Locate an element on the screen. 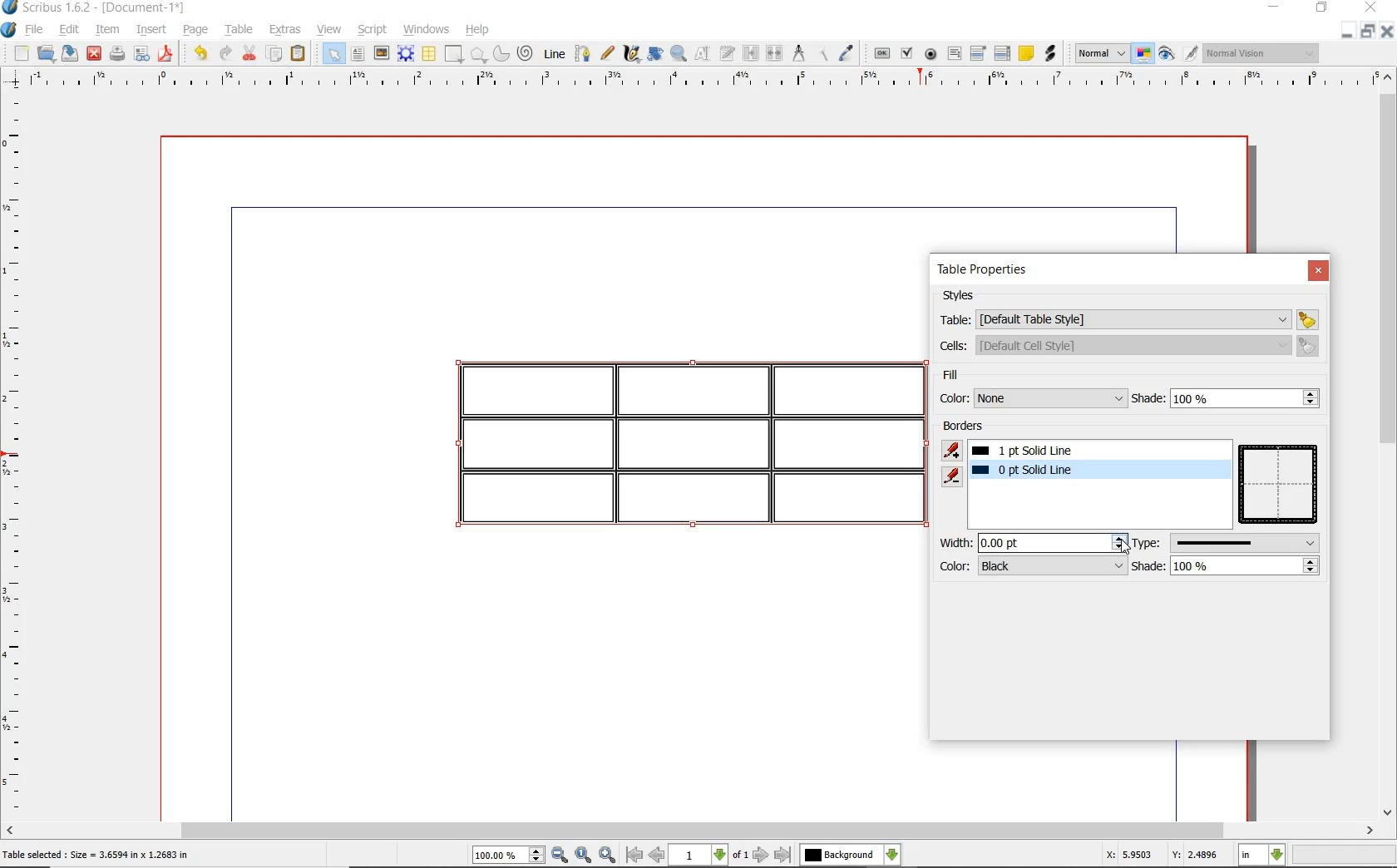 This screenshot has height=868, width=1397. render frame is located at coordinates (406, 55).